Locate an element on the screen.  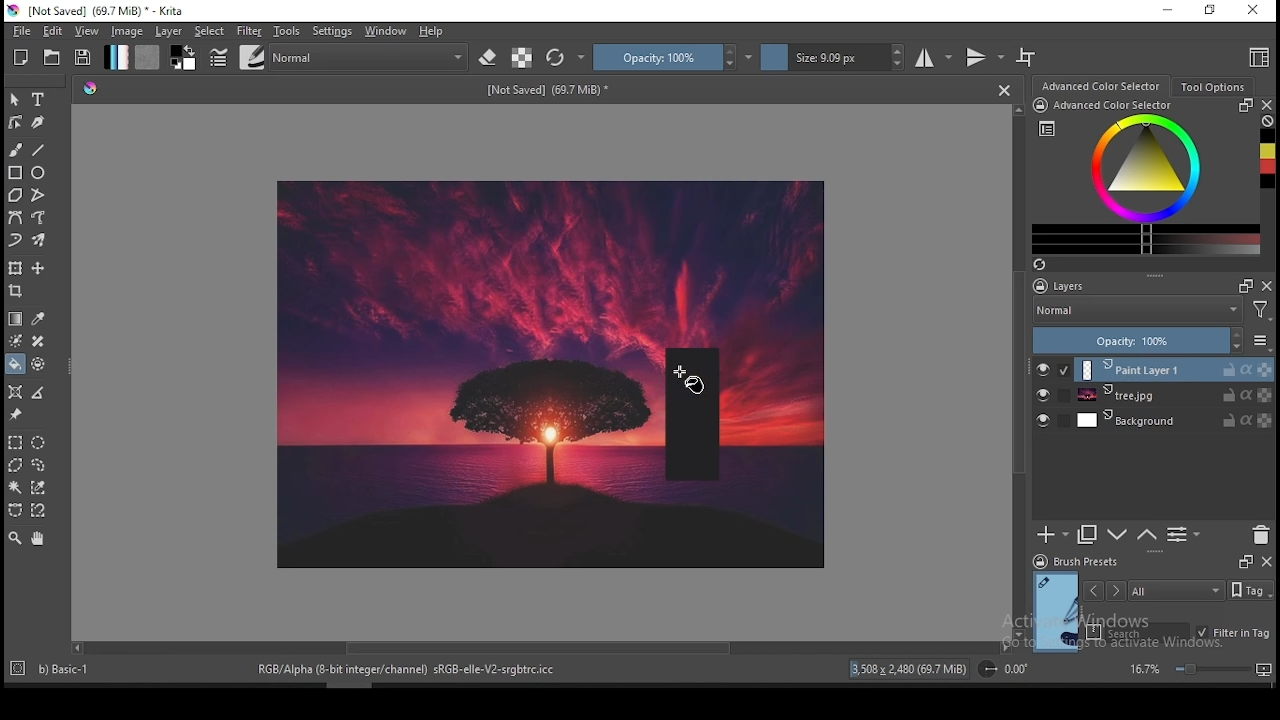
opacity is located at coordinates (673, 57).